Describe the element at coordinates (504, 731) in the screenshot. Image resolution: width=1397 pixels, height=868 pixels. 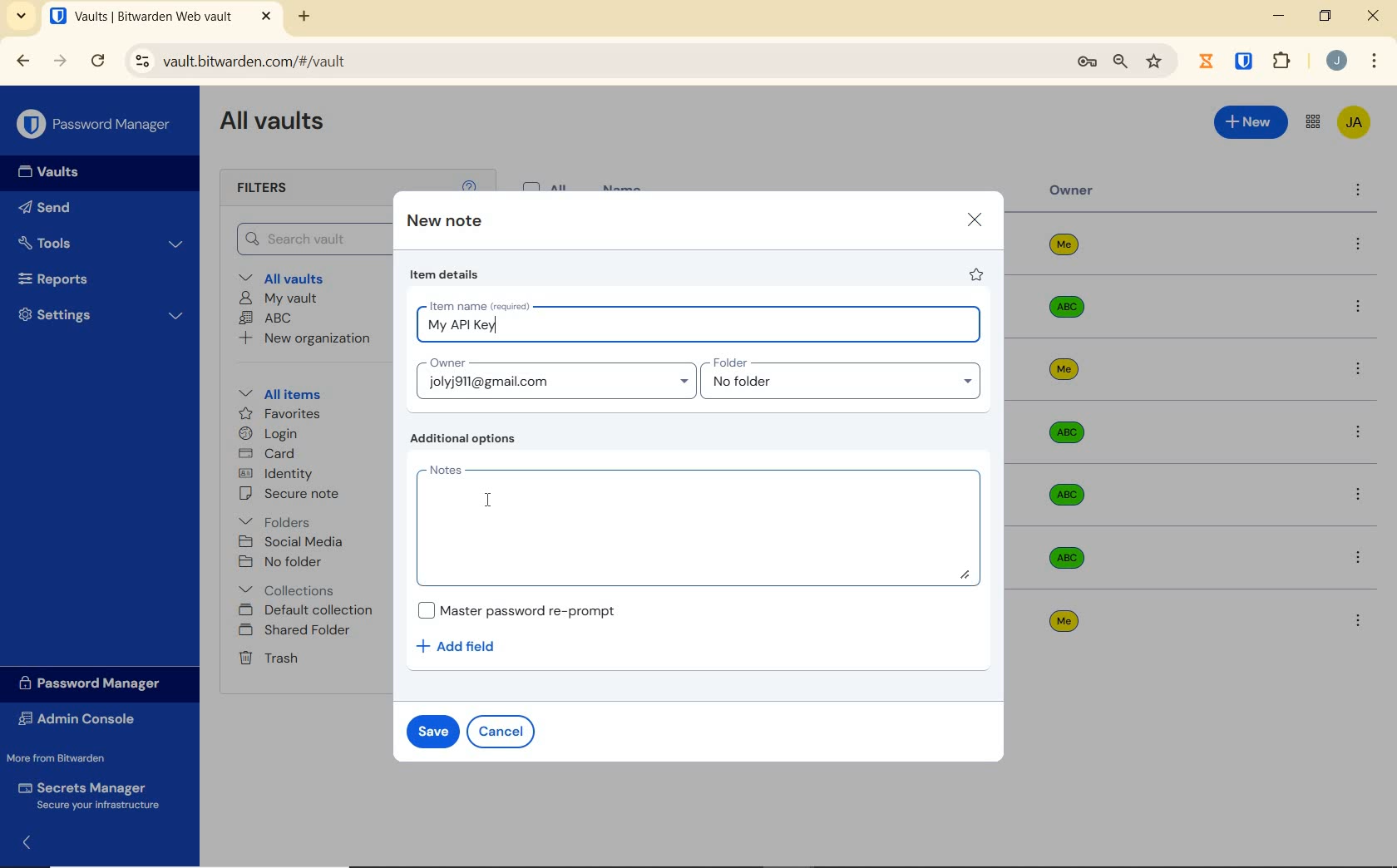
I see `cancel` at that location.